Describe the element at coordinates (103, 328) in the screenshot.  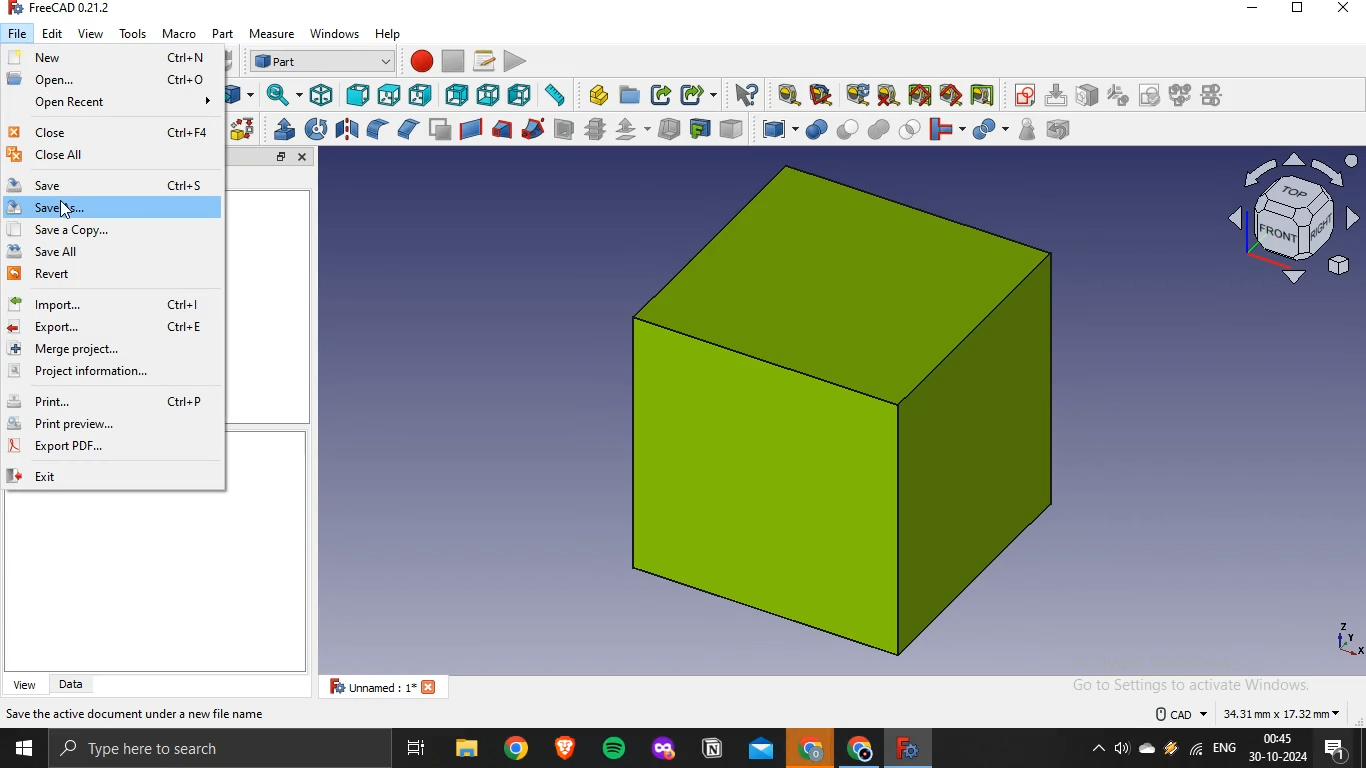
I see `export` at that location.